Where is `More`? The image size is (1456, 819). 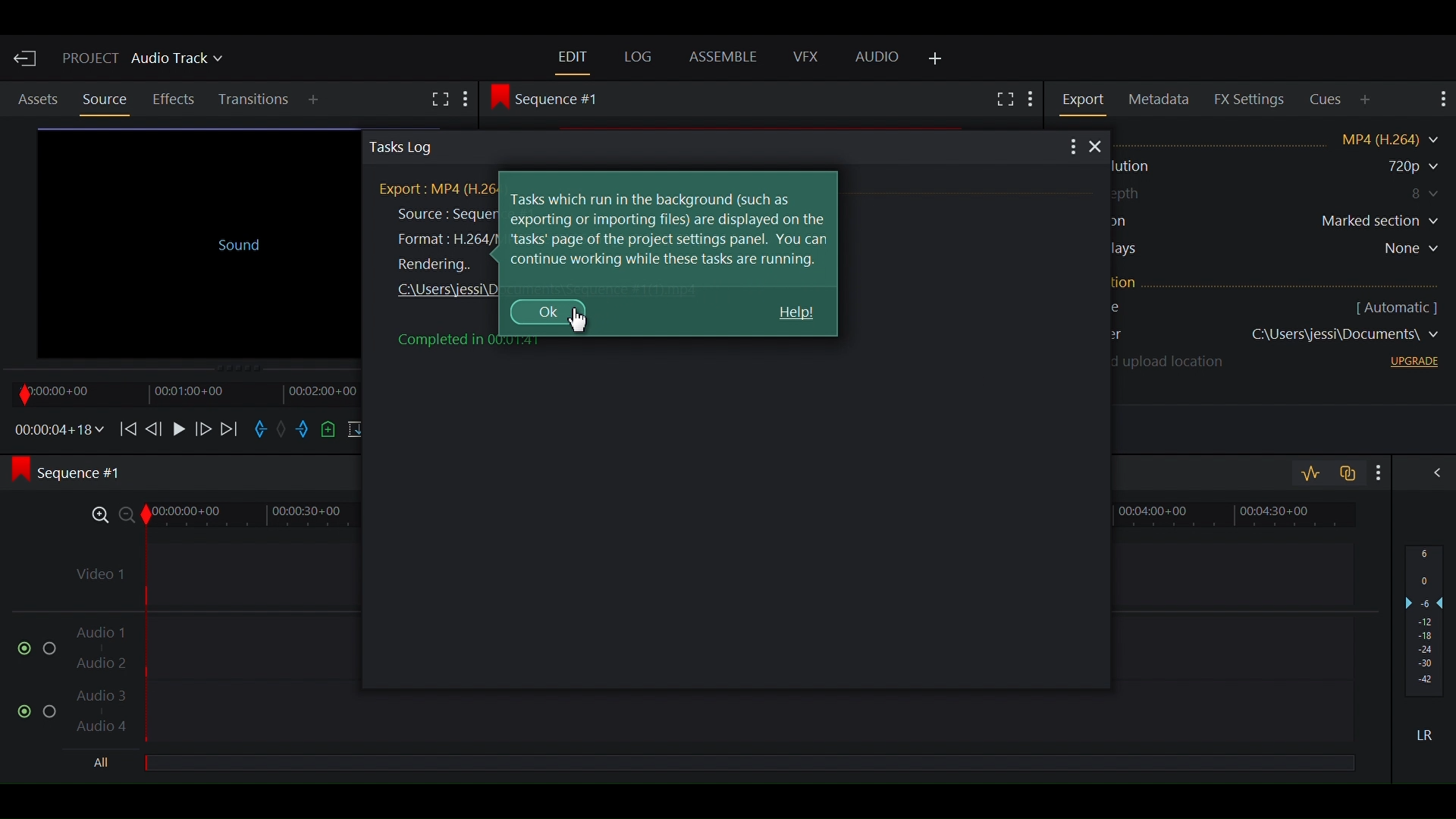 More is located at coordinates (471, 99).